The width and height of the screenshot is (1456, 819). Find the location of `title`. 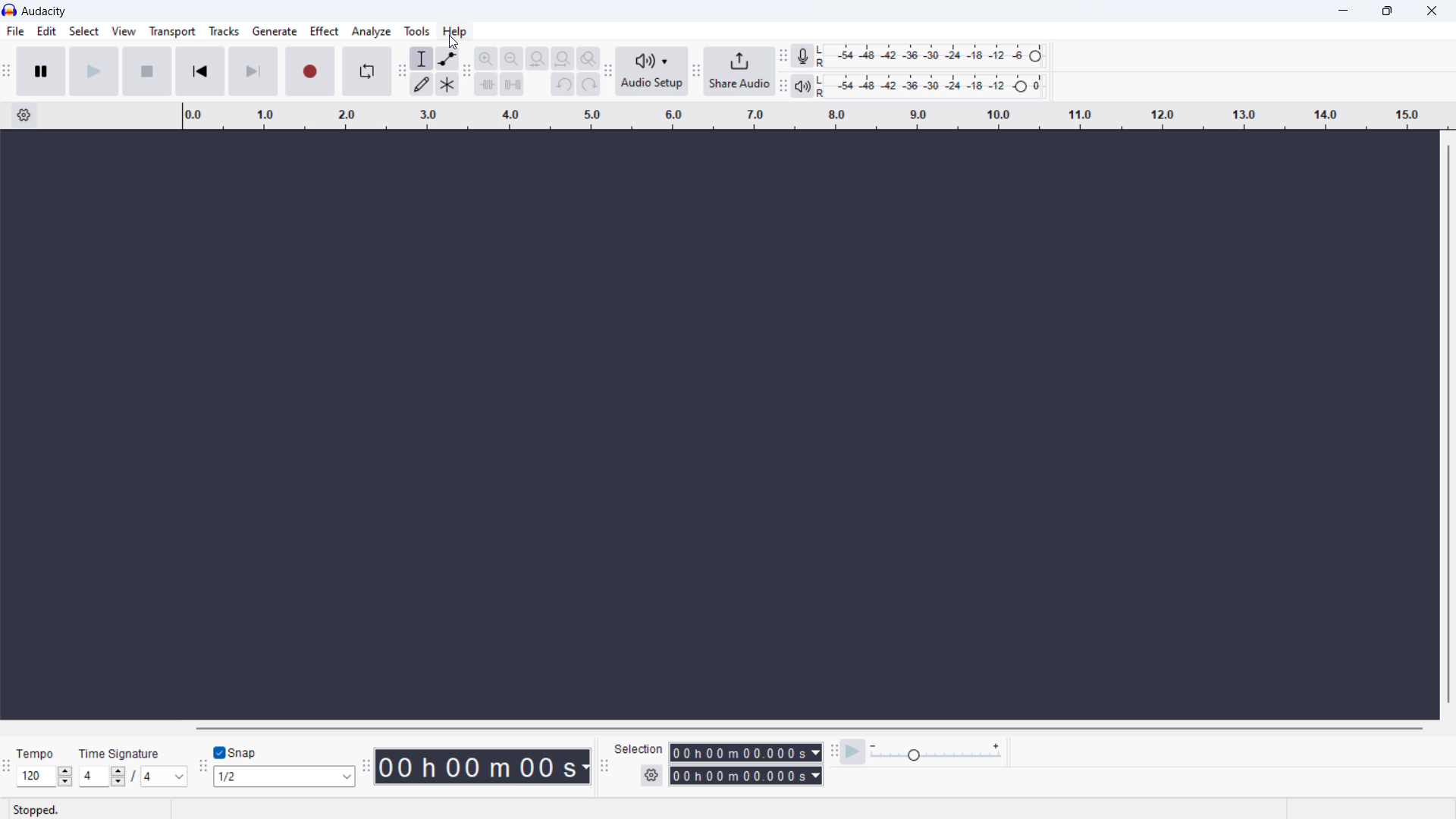

title is located at coordinates (45, 11).